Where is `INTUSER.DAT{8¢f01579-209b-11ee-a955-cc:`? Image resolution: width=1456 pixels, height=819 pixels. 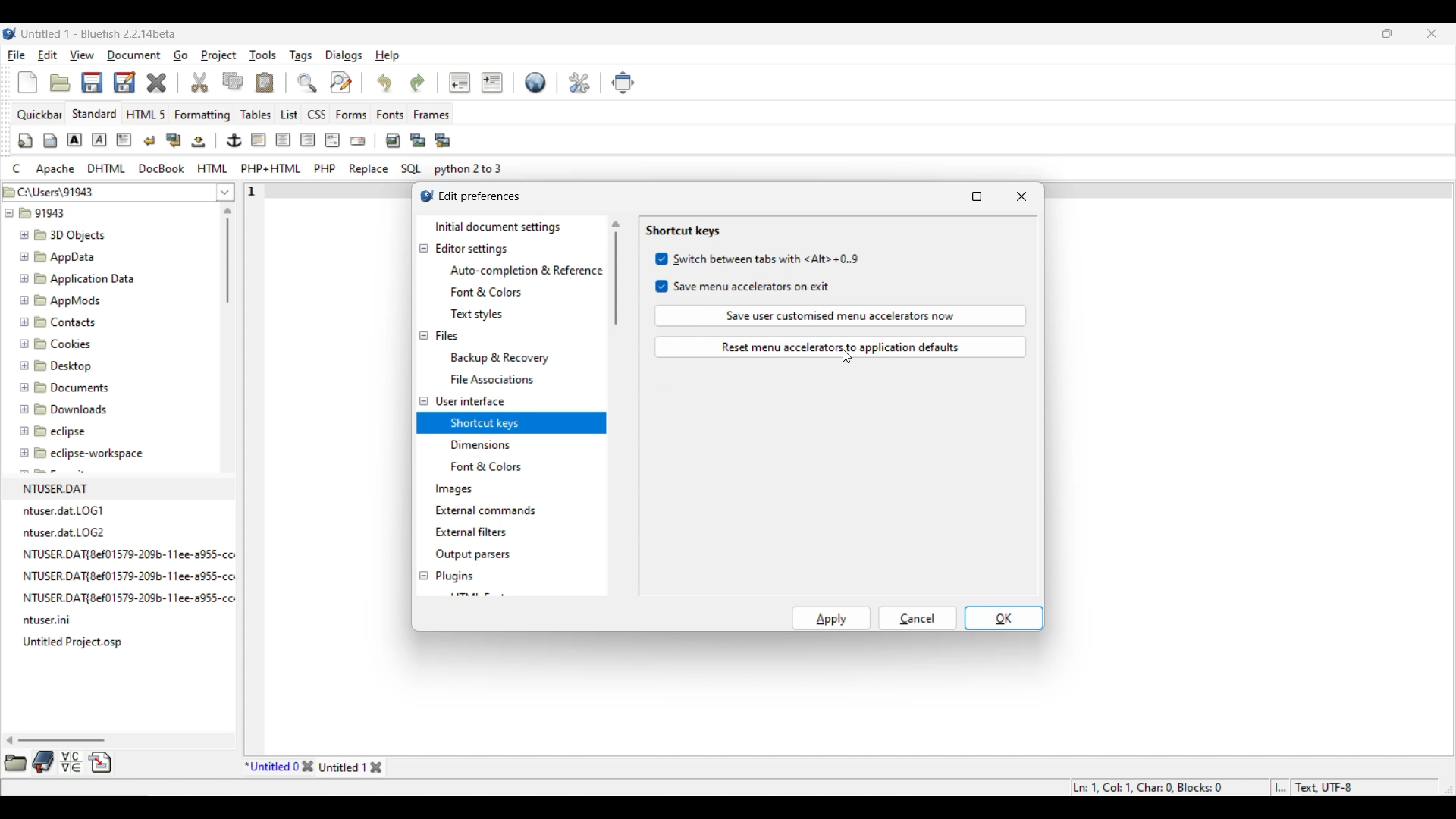 INTUSER.DAT{8¢f01579-209b-11ee-a955-cc: is located at coordinates (137, 576).